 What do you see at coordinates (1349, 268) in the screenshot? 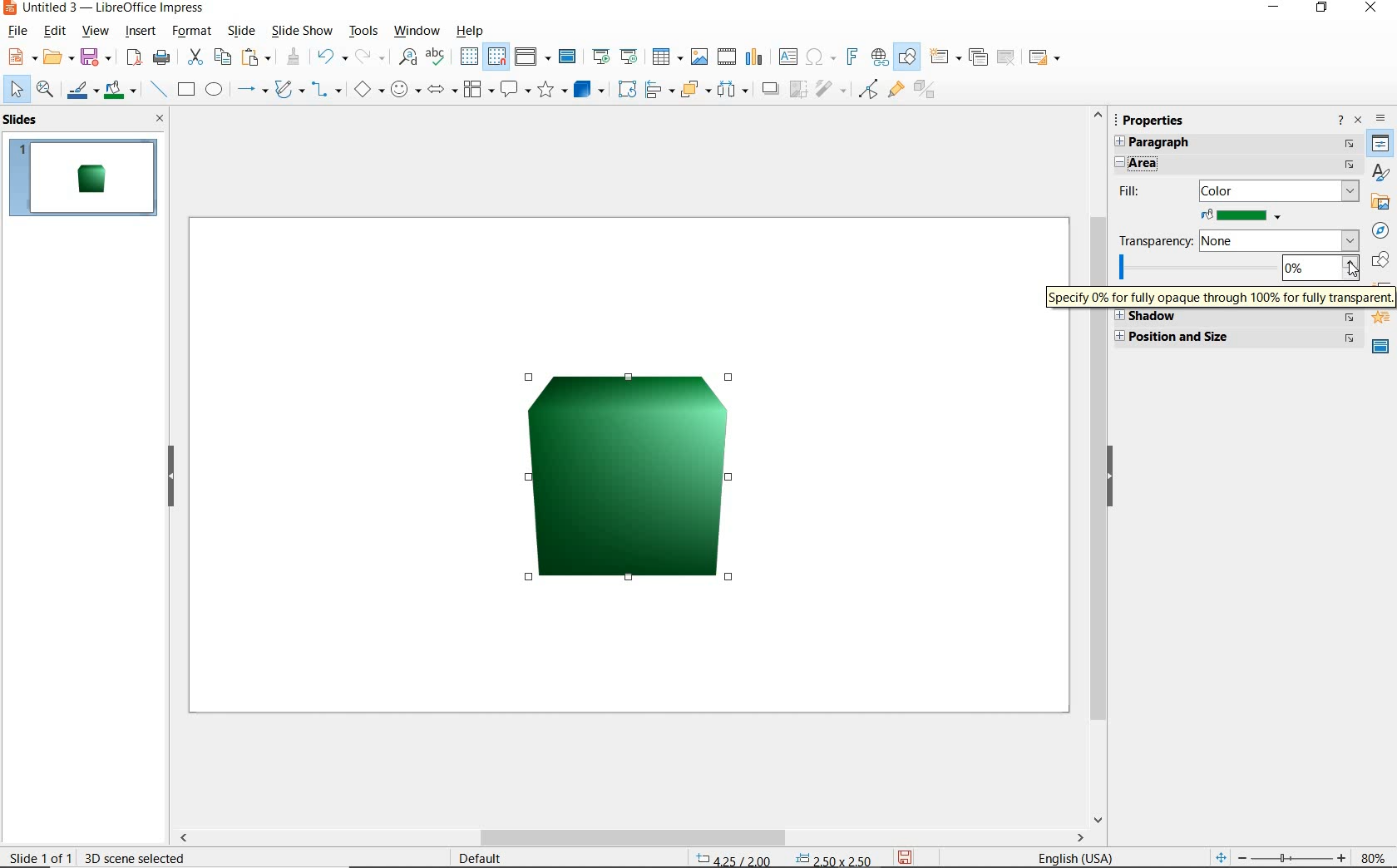
I see `cursor` at bounding box center [1349, 268].